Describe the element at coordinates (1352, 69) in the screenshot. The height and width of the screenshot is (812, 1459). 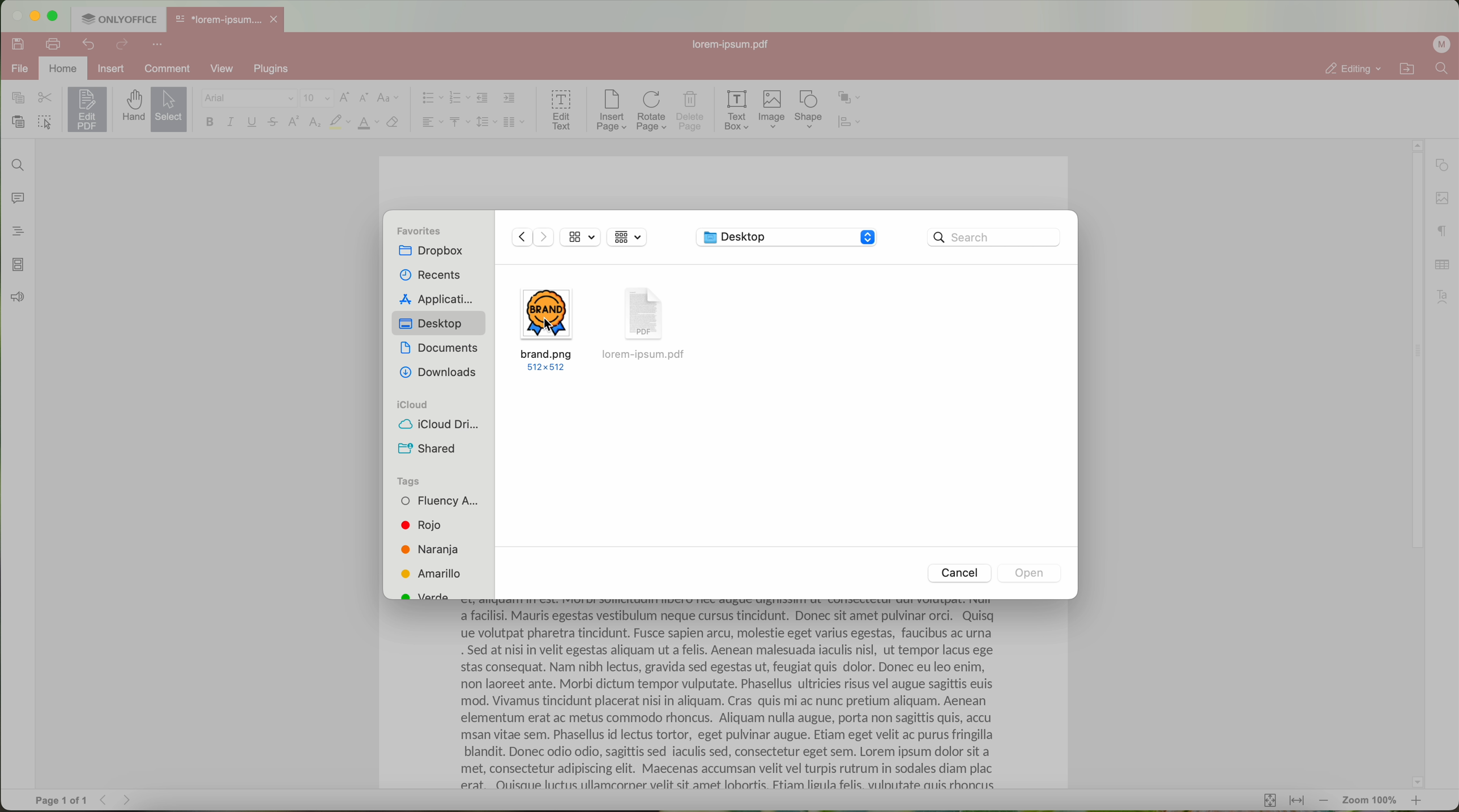
I see `editing` at that location.